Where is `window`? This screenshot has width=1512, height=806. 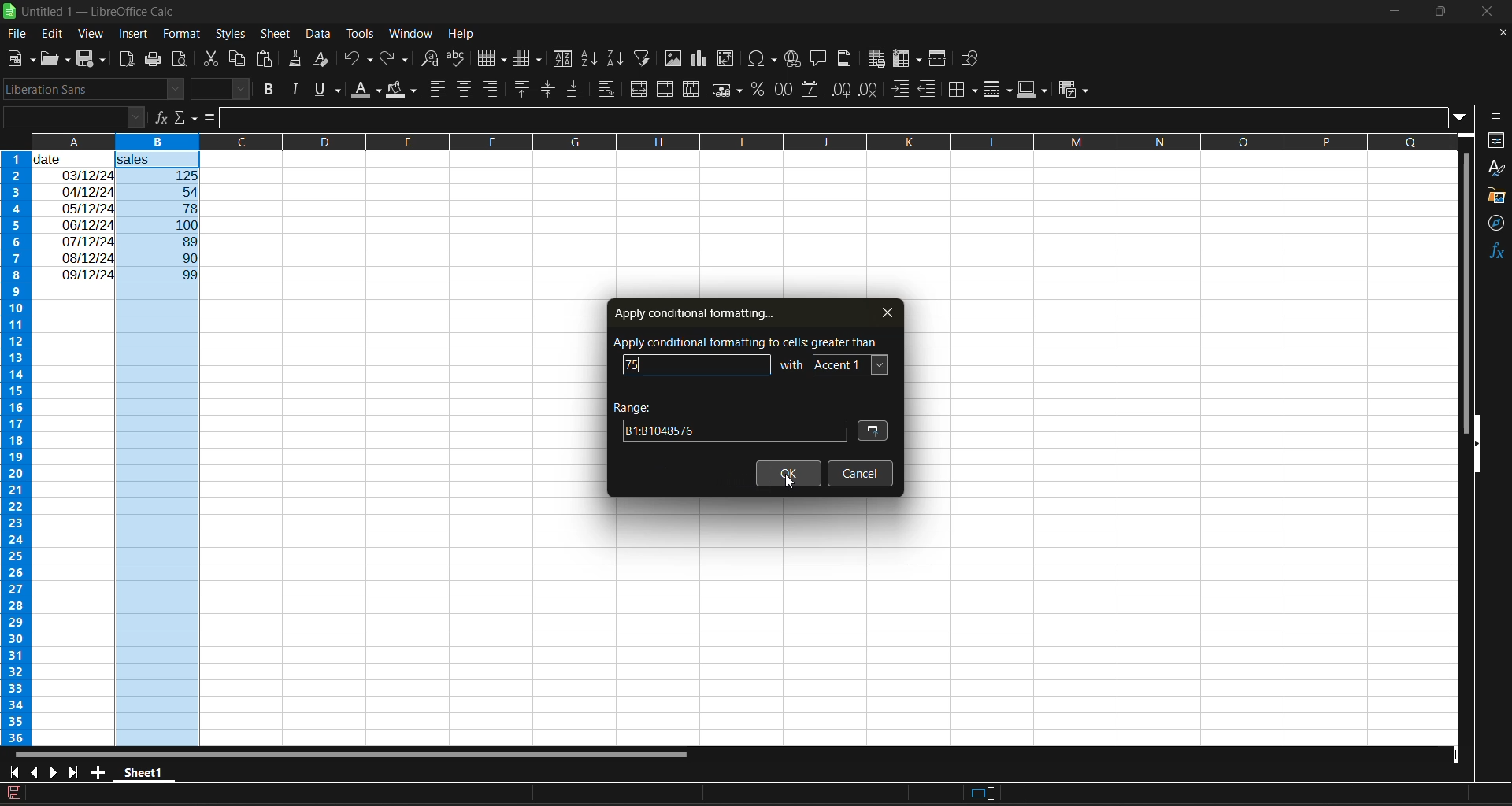
window is located at coordinates (409, 35).